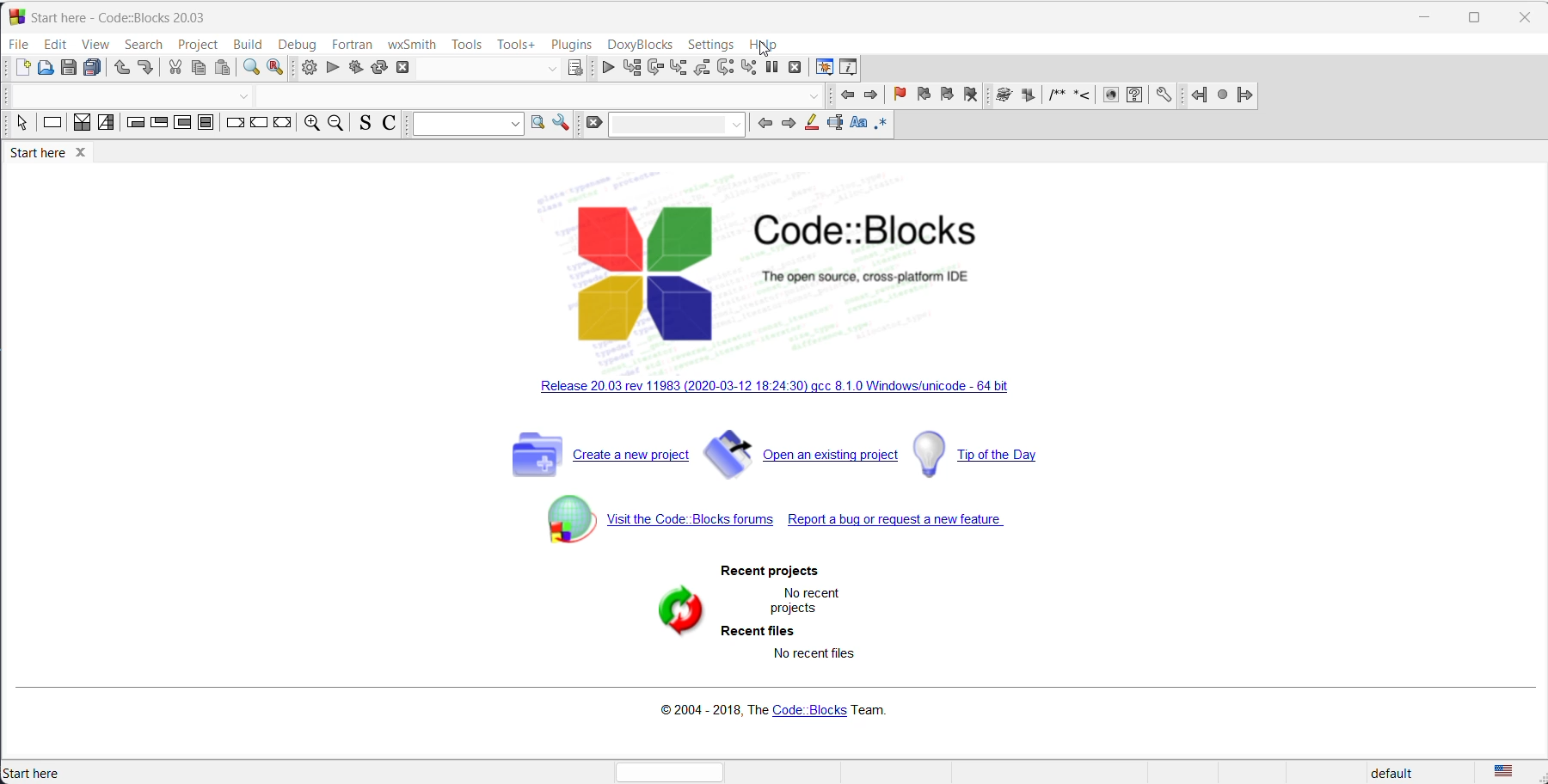 This screenshot has width=1548, height=784. Describe the element at coordinates (339, 123) in the screenshot. I see `zoom out` at that location.